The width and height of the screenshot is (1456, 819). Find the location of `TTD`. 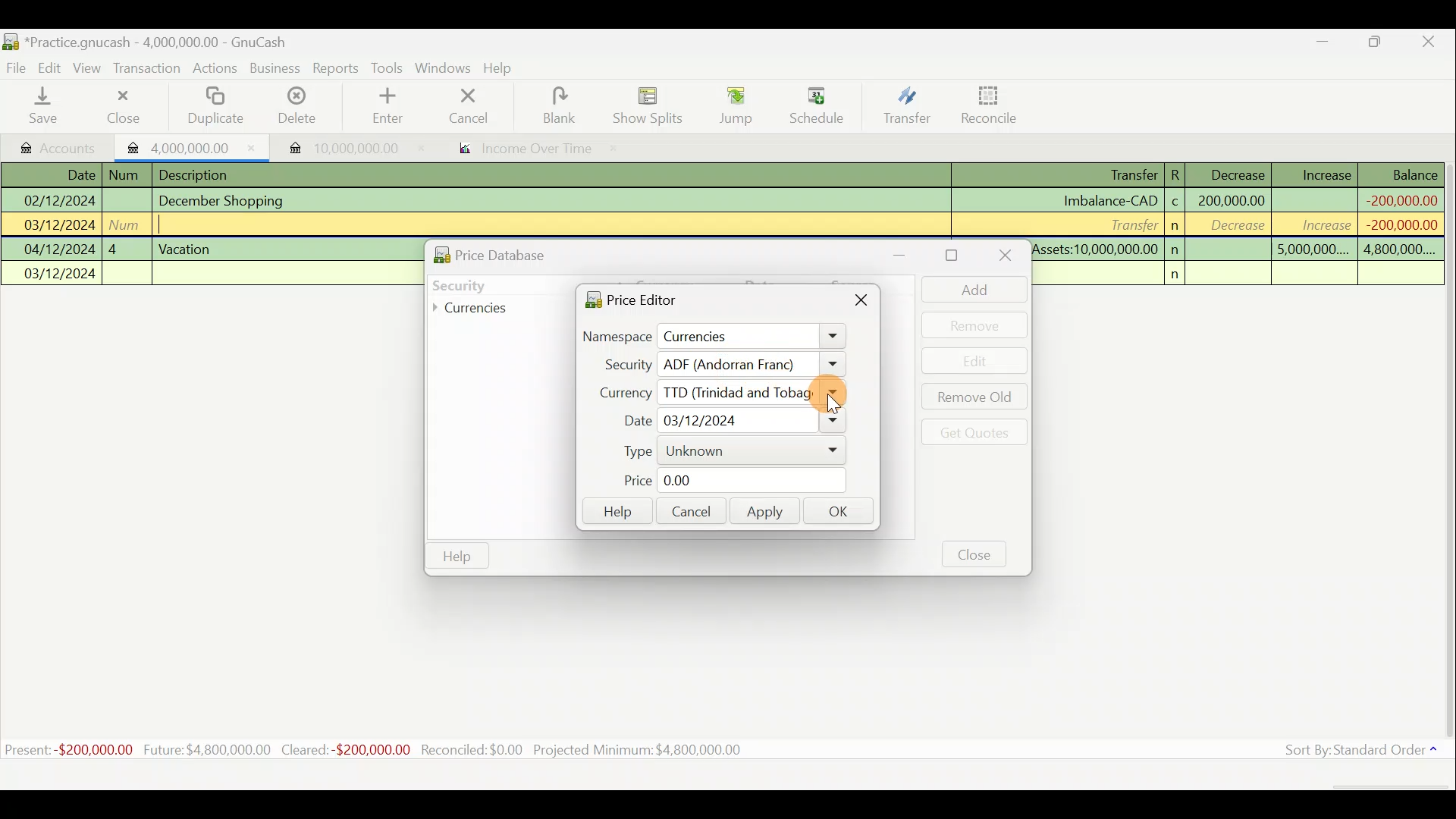

TTD is located at coordinates (748, 393).